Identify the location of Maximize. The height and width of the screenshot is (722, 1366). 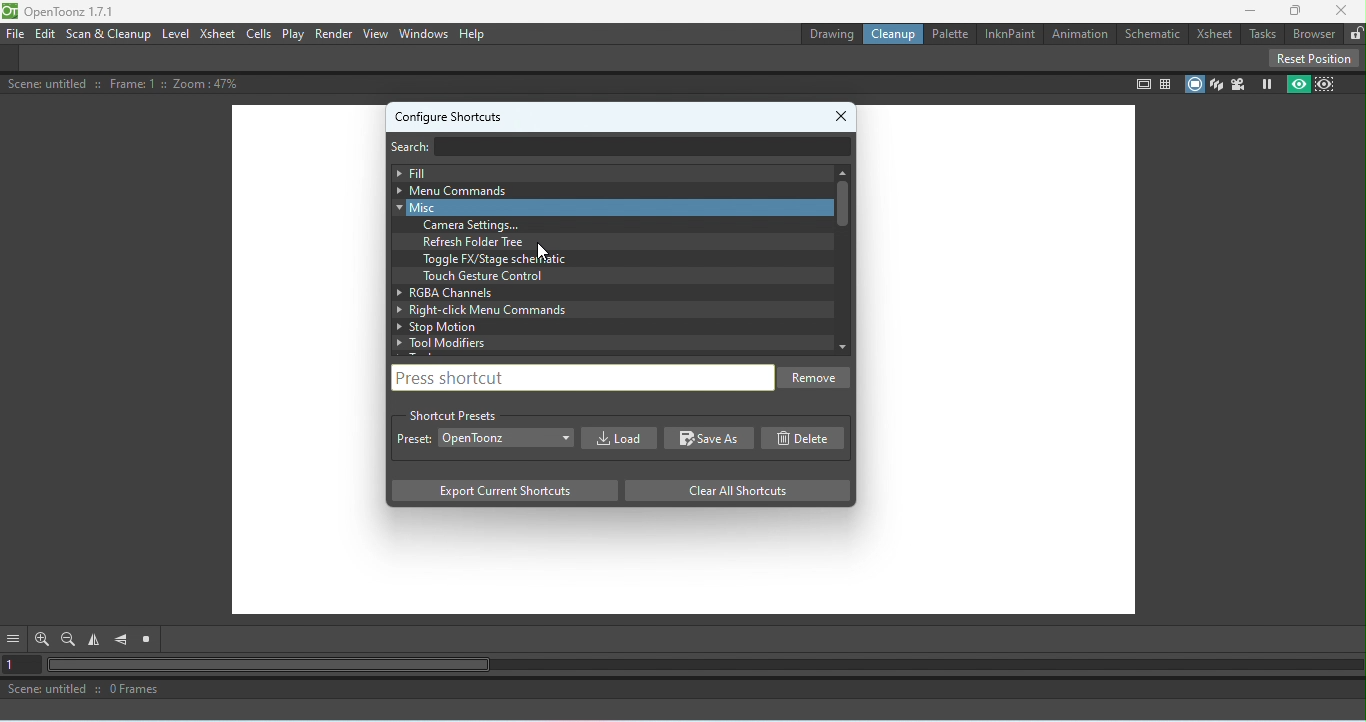
(1297, 10).